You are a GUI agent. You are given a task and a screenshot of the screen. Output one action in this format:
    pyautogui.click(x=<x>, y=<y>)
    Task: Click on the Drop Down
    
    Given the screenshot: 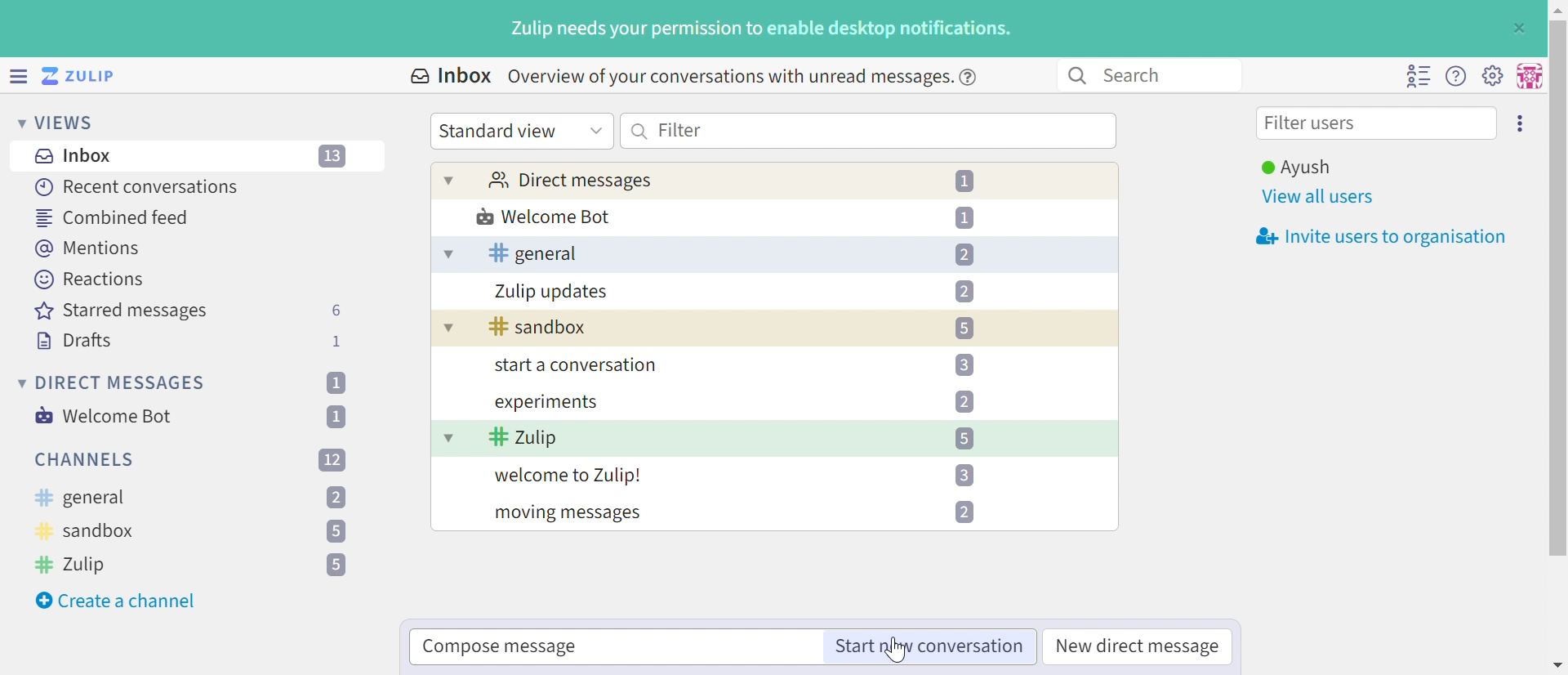 What is the action you would take?
    pyautogui.click(x=19, y=382)
    